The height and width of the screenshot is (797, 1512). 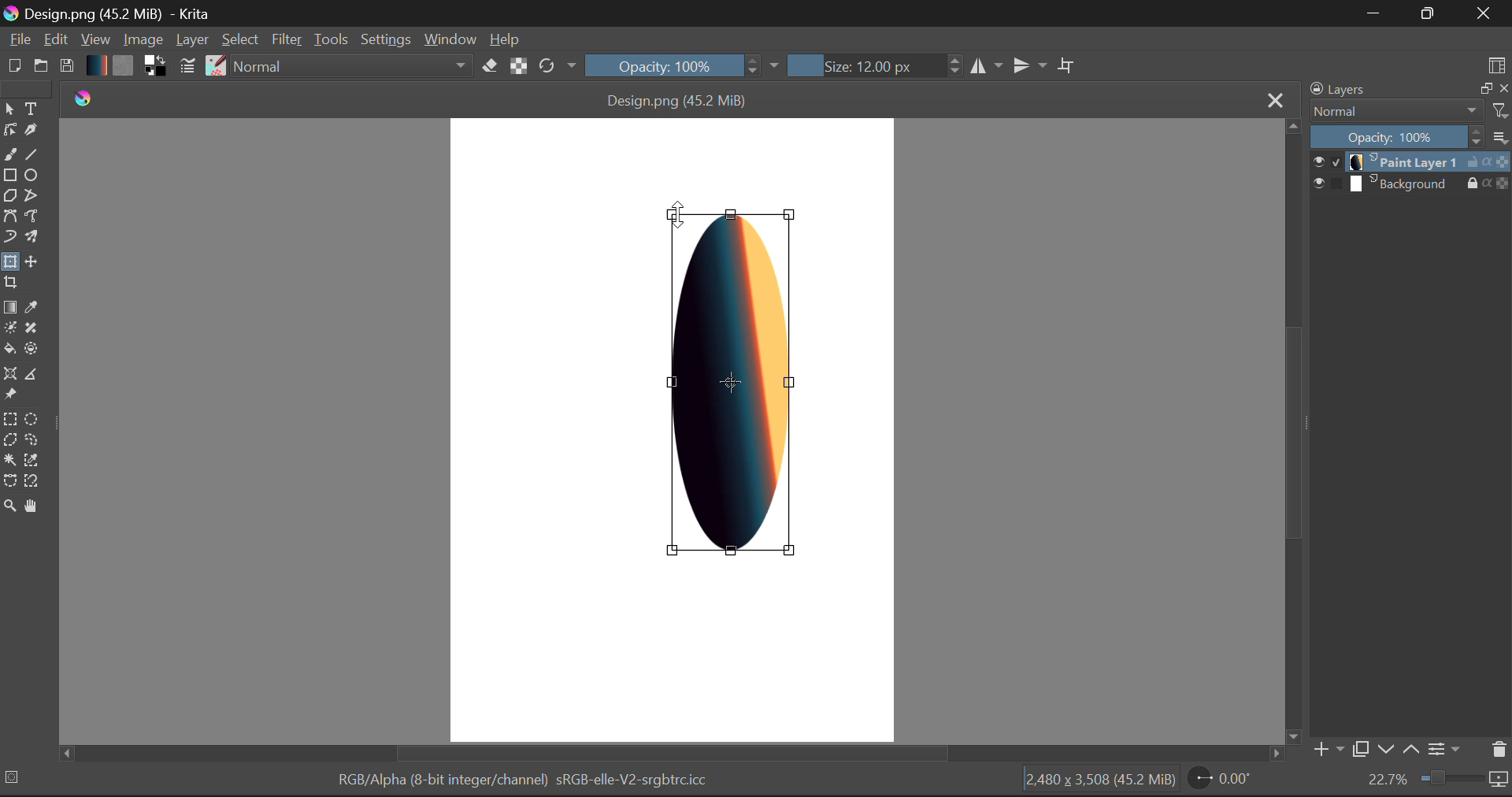 What do you see at coordinates (353, 65) in the screenshot?
I see `Blending Mode` at bounding box center [353, 65].